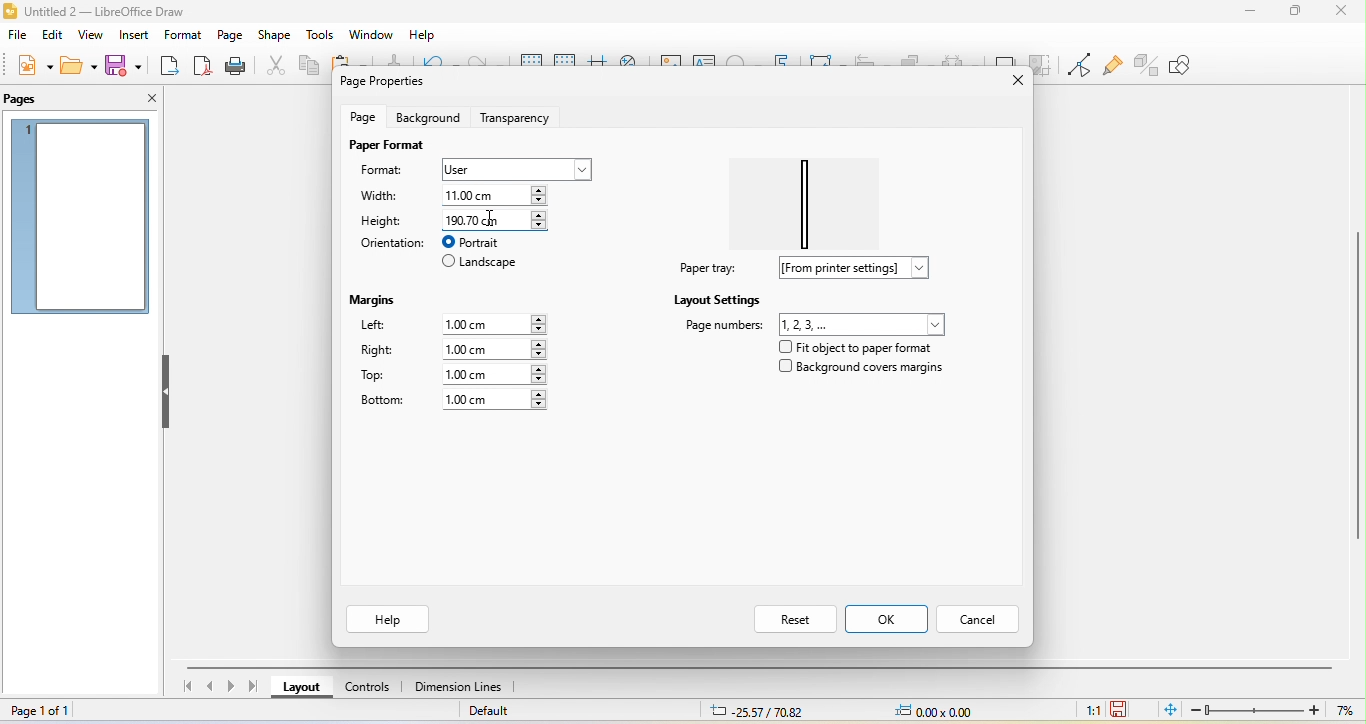  What do you see at coordinates (495, 400) in the screenshot?
I see `1.00 cm` at bounding box center [495, 400].